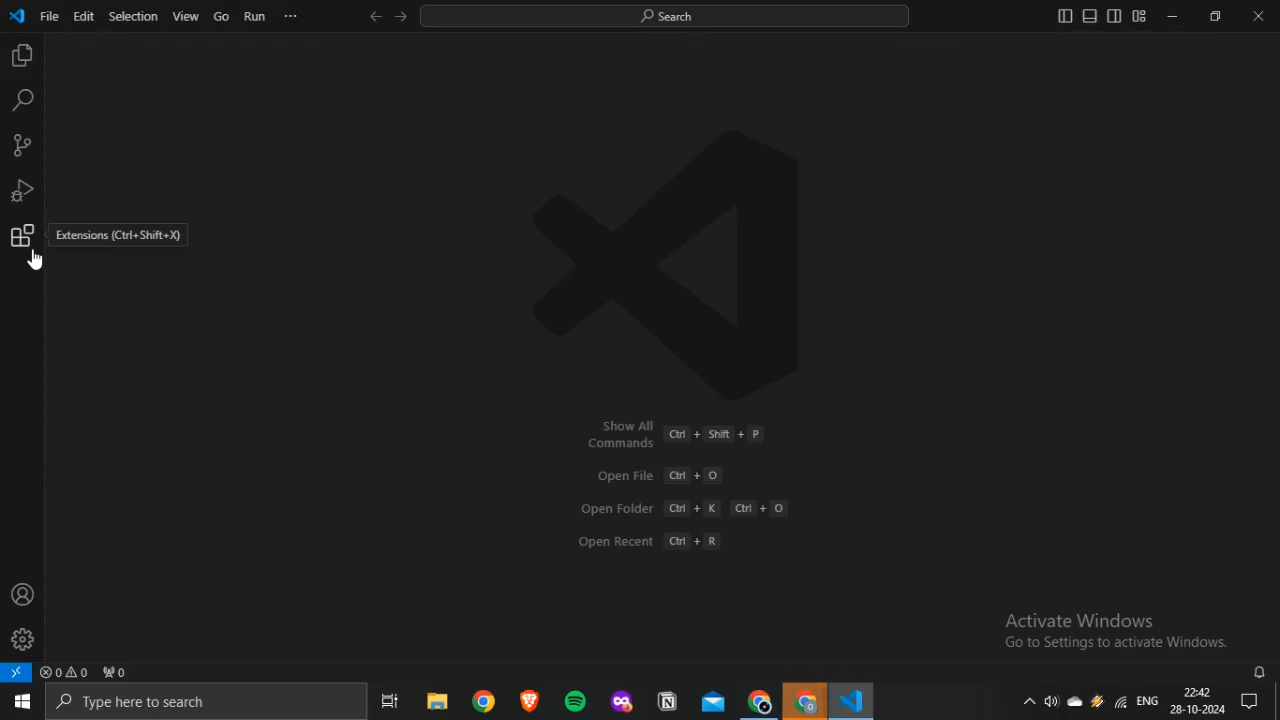 This screenshot has width=1280, height=720. I want to click on 28-10-2024, so click(1197, 709).